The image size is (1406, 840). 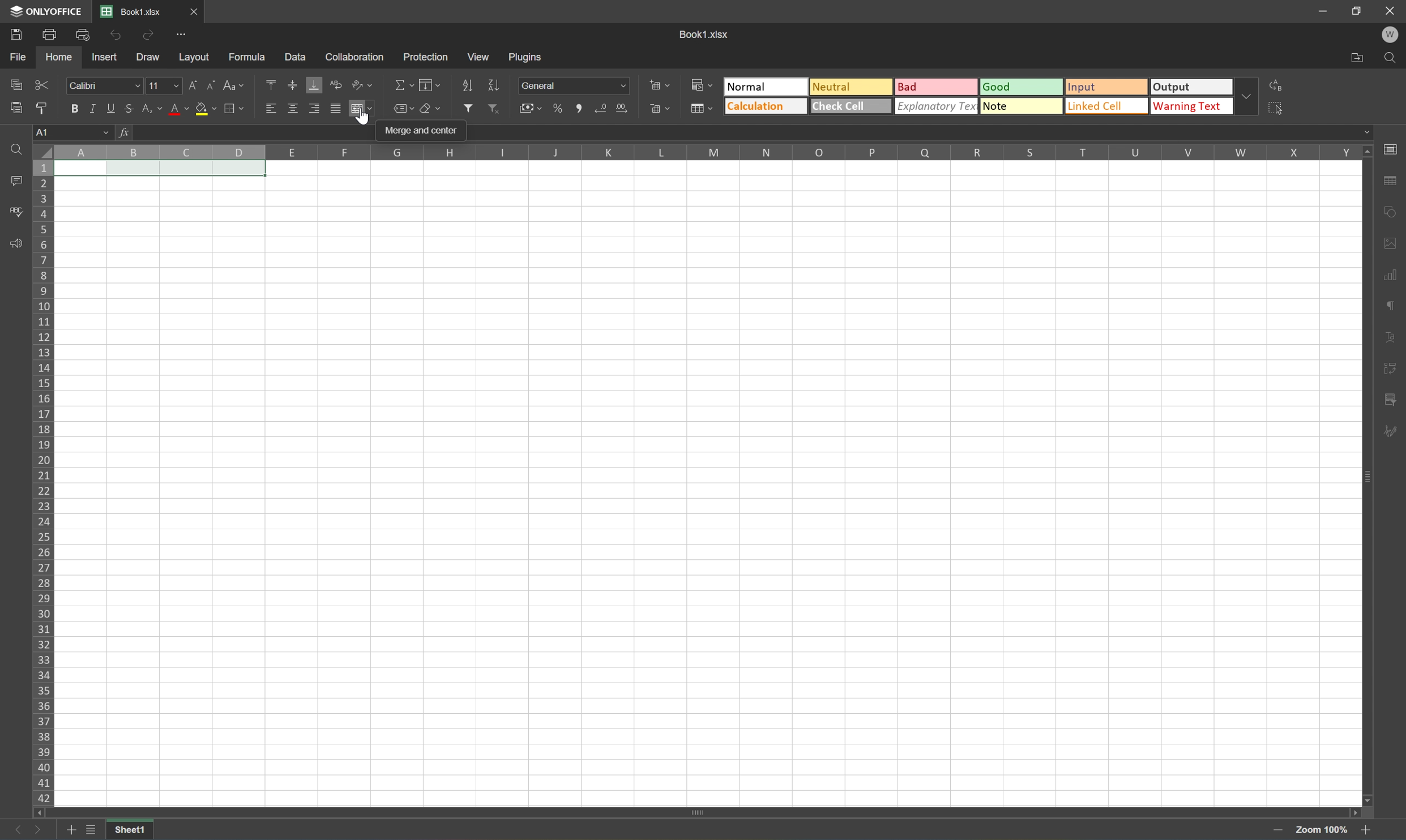 I want to click on Drop down, so click(x=1251, y=97).